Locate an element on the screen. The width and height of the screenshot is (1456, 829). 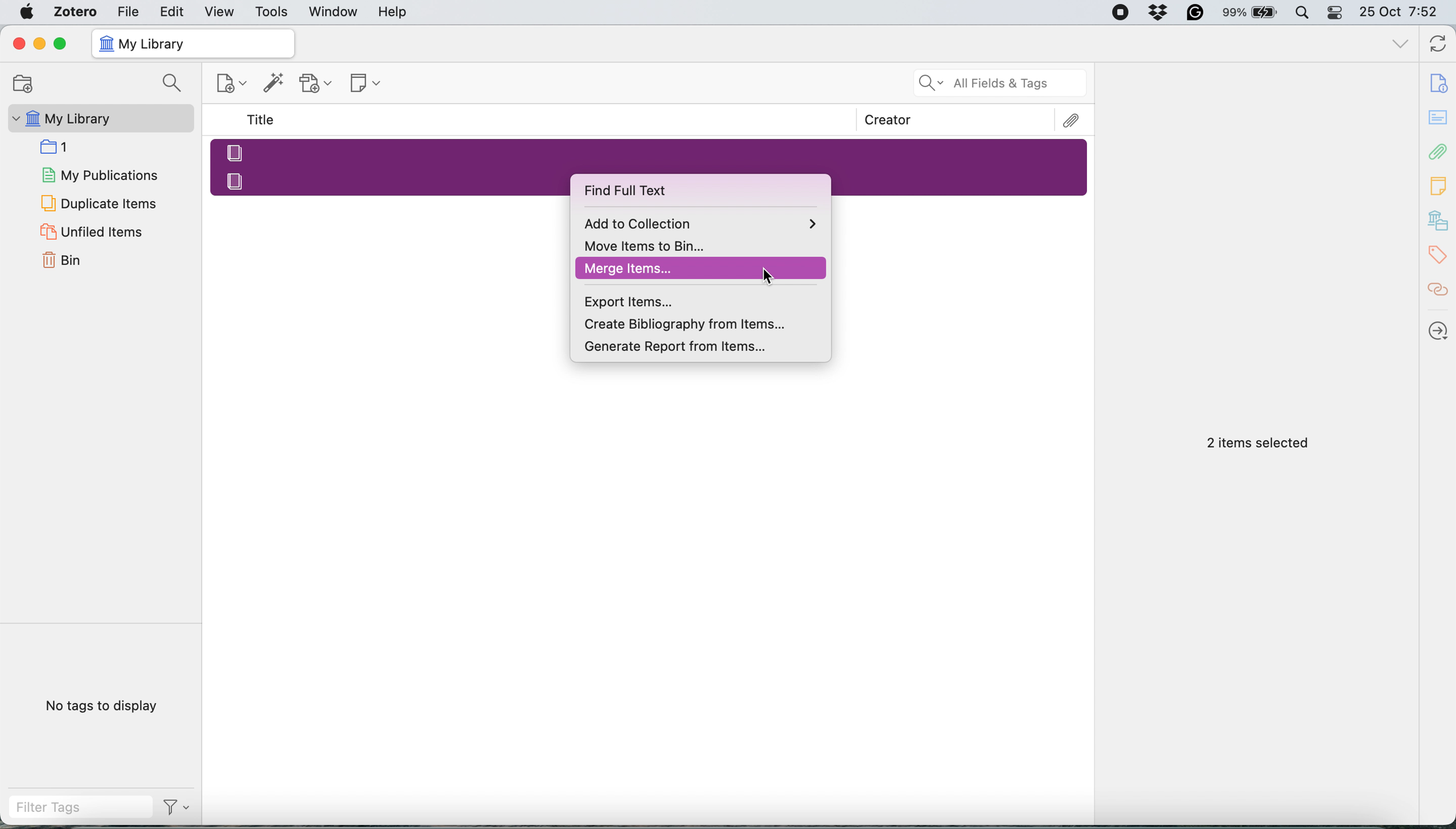
Add to Collection is located at coordinates (702, 222).